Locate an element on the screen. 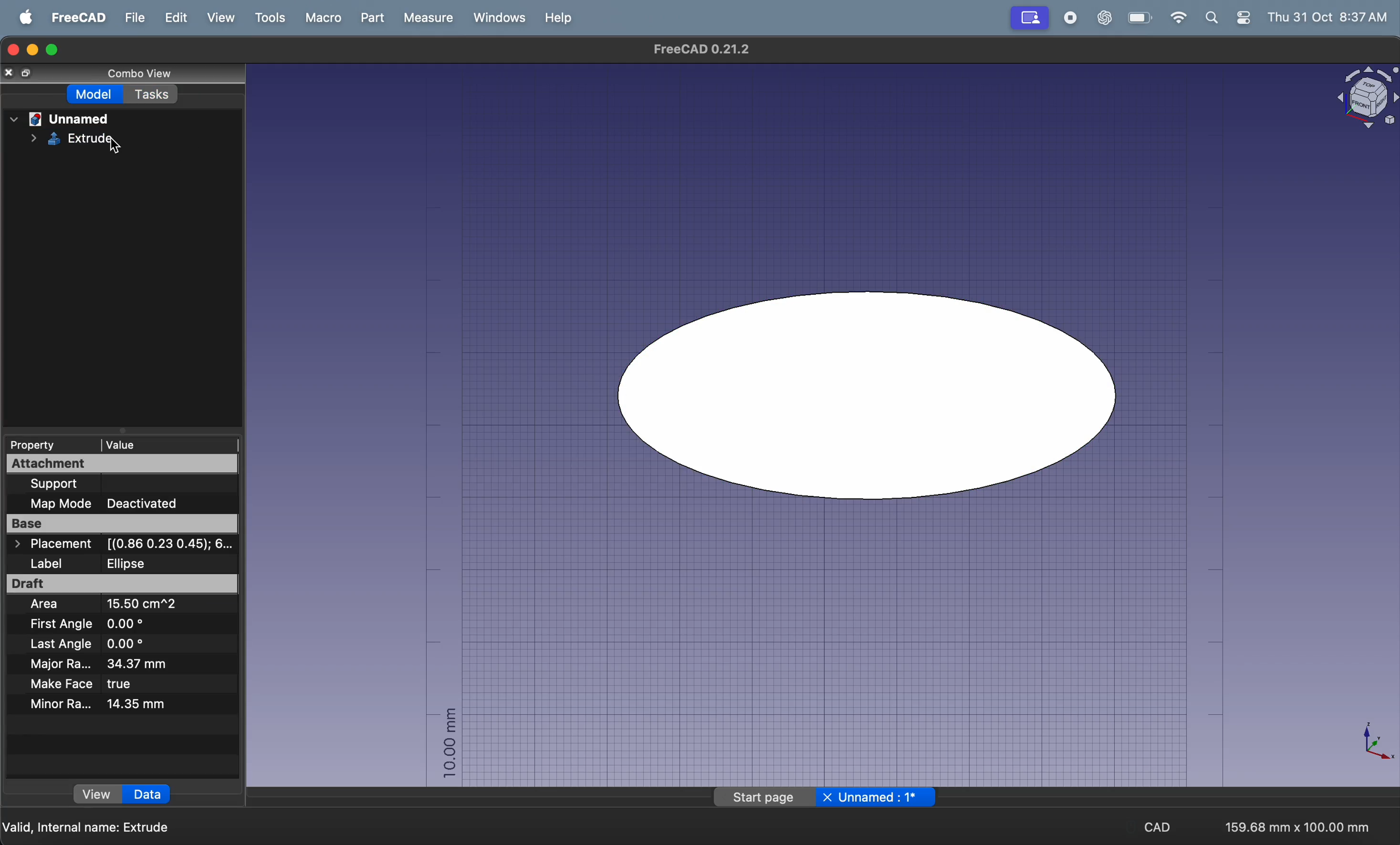 This screenshot has width=1400, height=845. combo view is located at coordinates (152, 76).